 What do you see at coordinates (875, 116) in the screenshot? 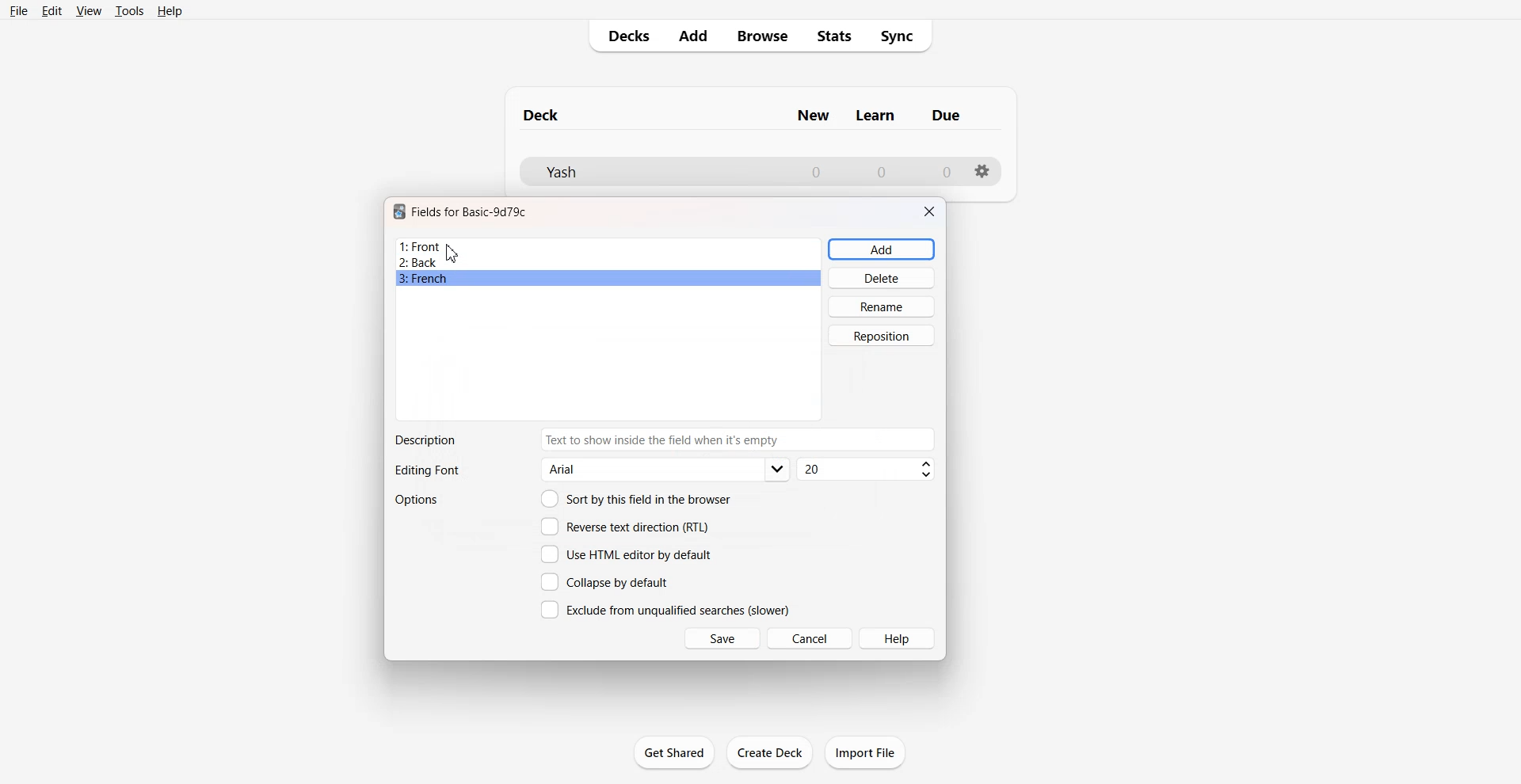
I see `Column name` at bounding box center [875, 116].